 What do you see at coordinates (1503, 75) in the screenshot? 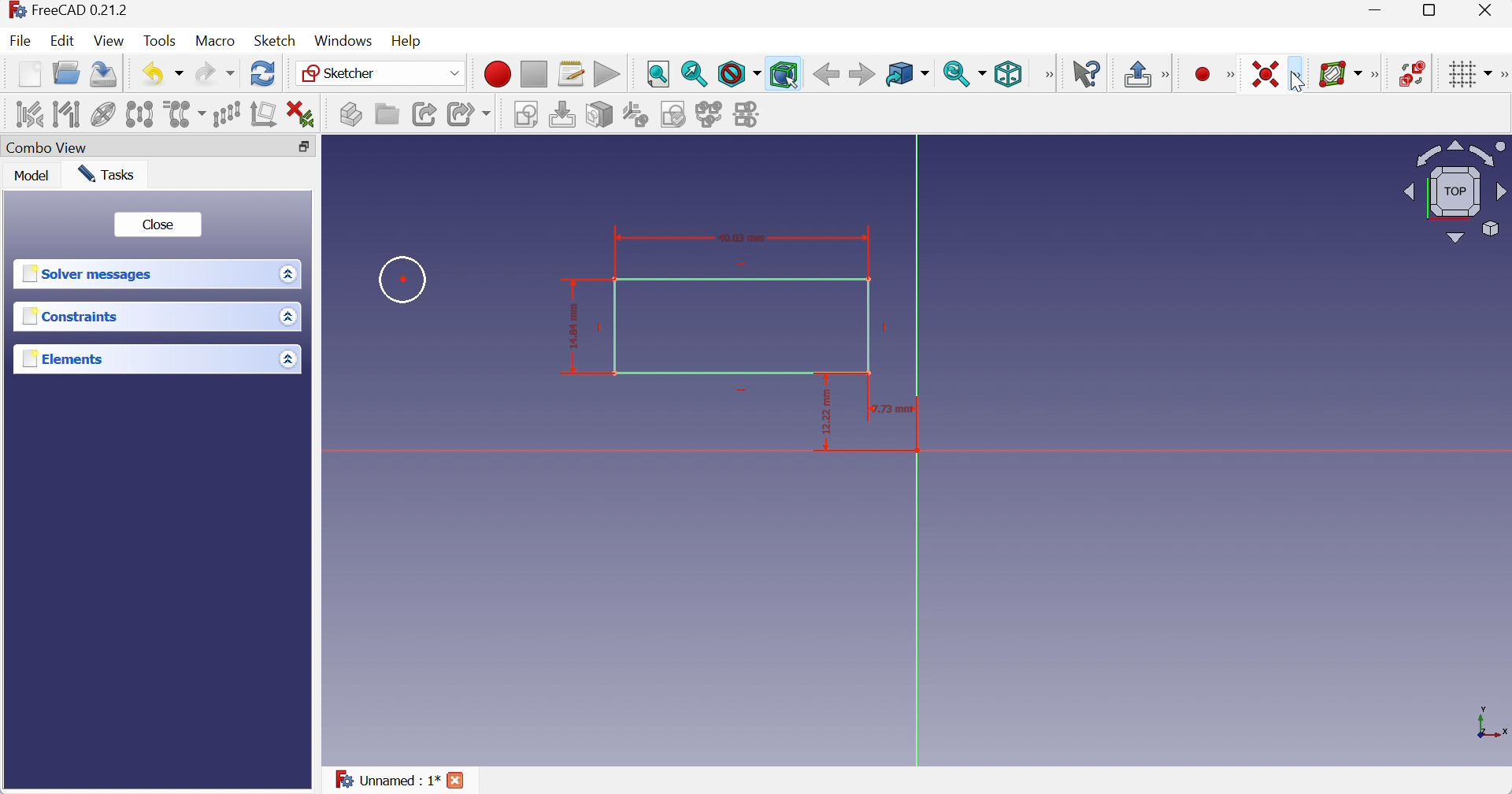
I see `[Sketcher edit tools]` at bounding box center [1503, 75].